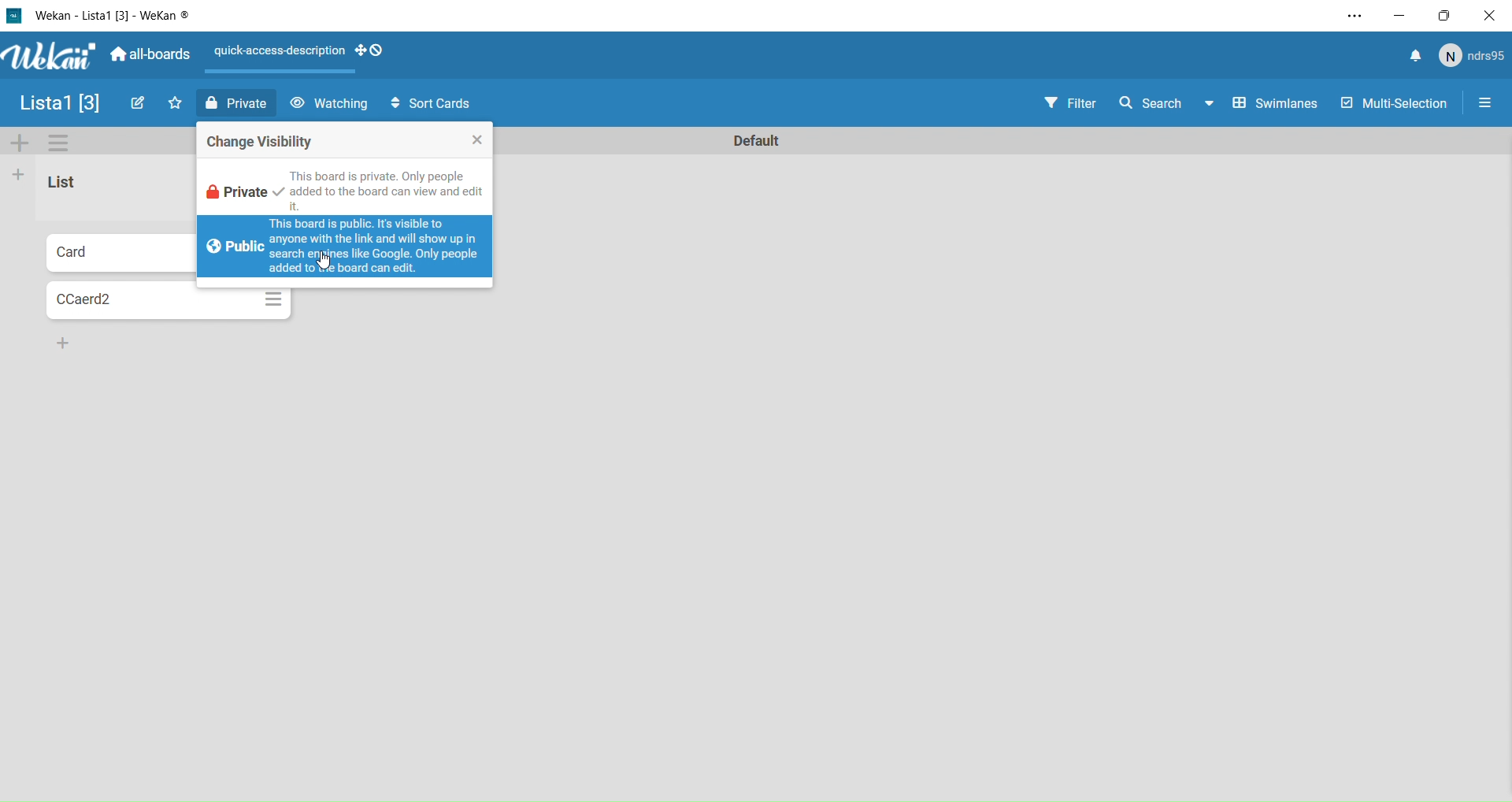 Image resolution: width=1512 pixels, height=802 pixels. I want to click on Filter, so click(1069, 104).